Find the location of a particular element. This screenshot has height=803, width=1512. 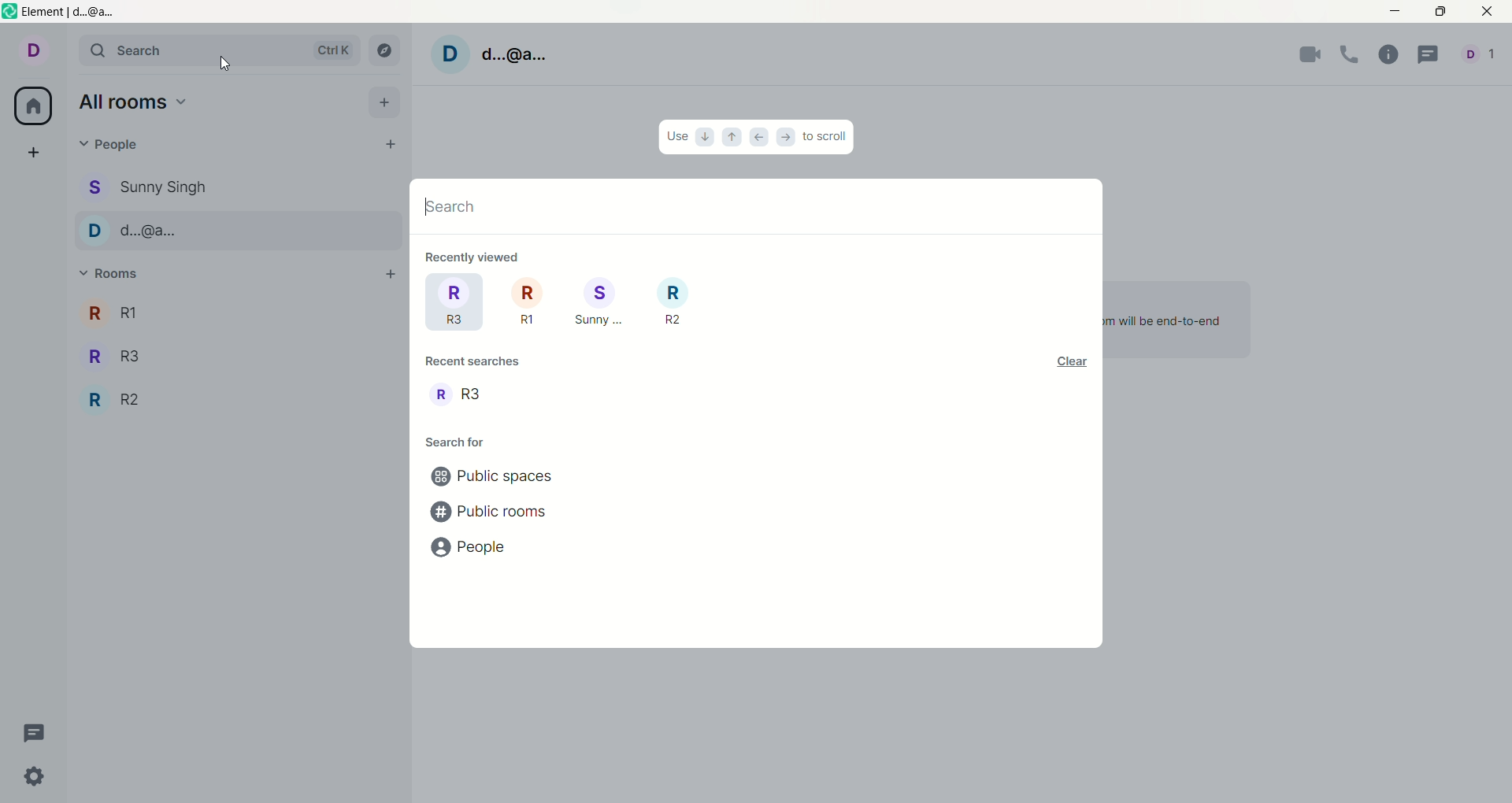

logo is located at coordinates (10, 13).